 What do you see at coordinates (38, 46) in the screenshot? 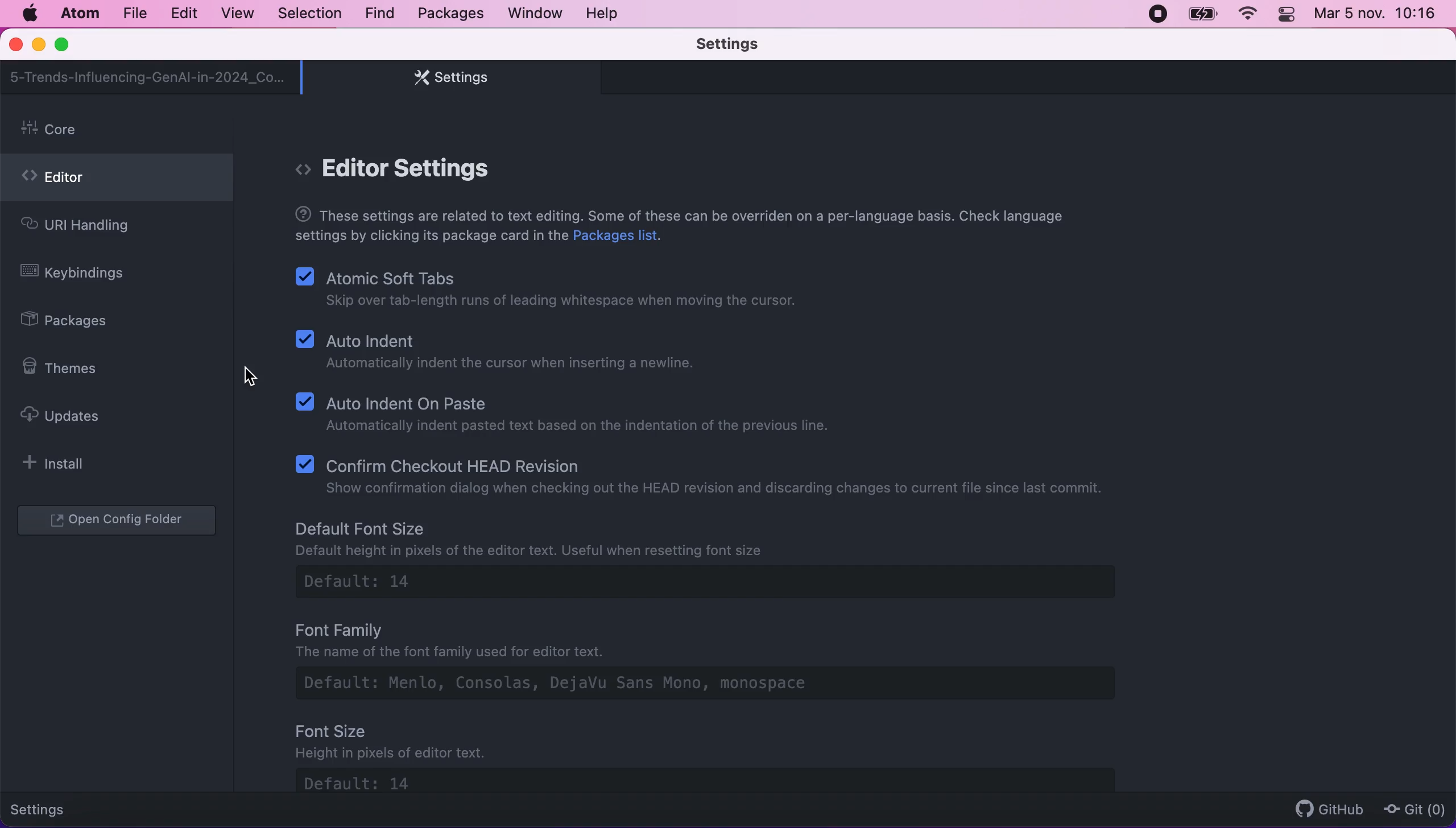
I see `minimize` at bounding box center [38, 46].